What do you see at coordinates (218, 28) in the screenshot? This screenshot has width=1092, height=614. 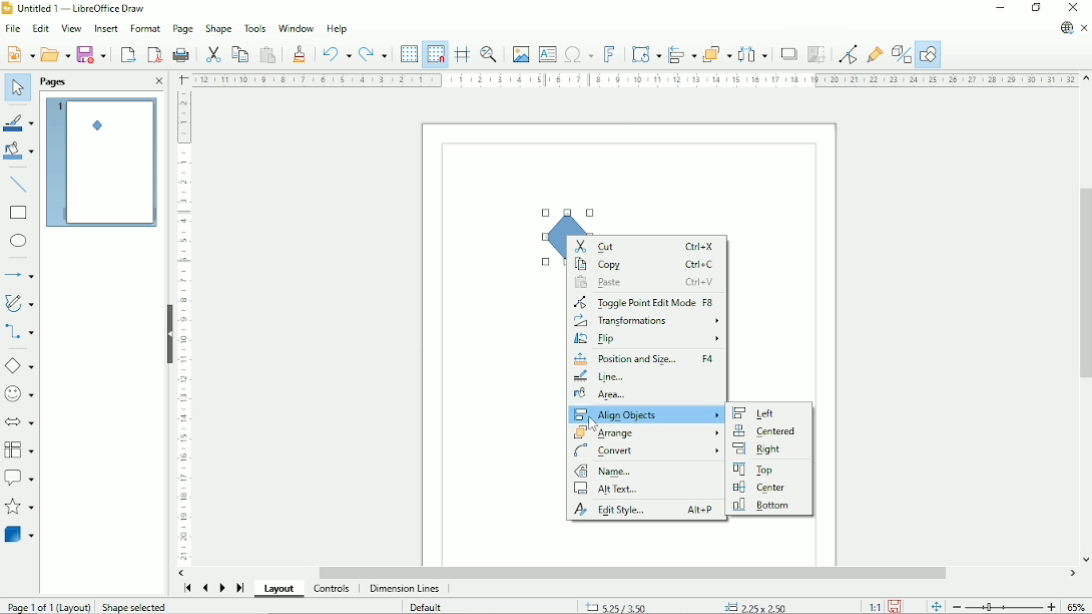 I see `Shape` at bounding box center [218, 28].